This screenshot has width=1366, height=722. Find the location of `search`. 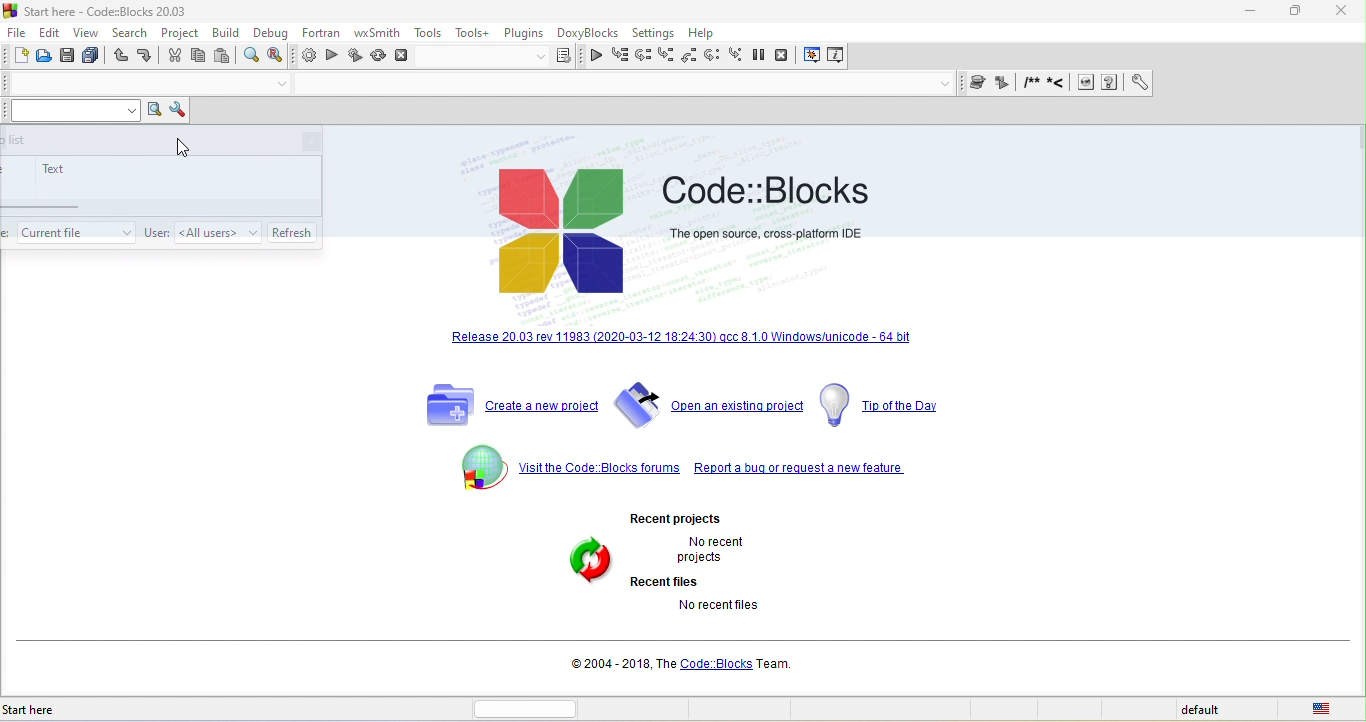

search is located at coordinates (130, 35).